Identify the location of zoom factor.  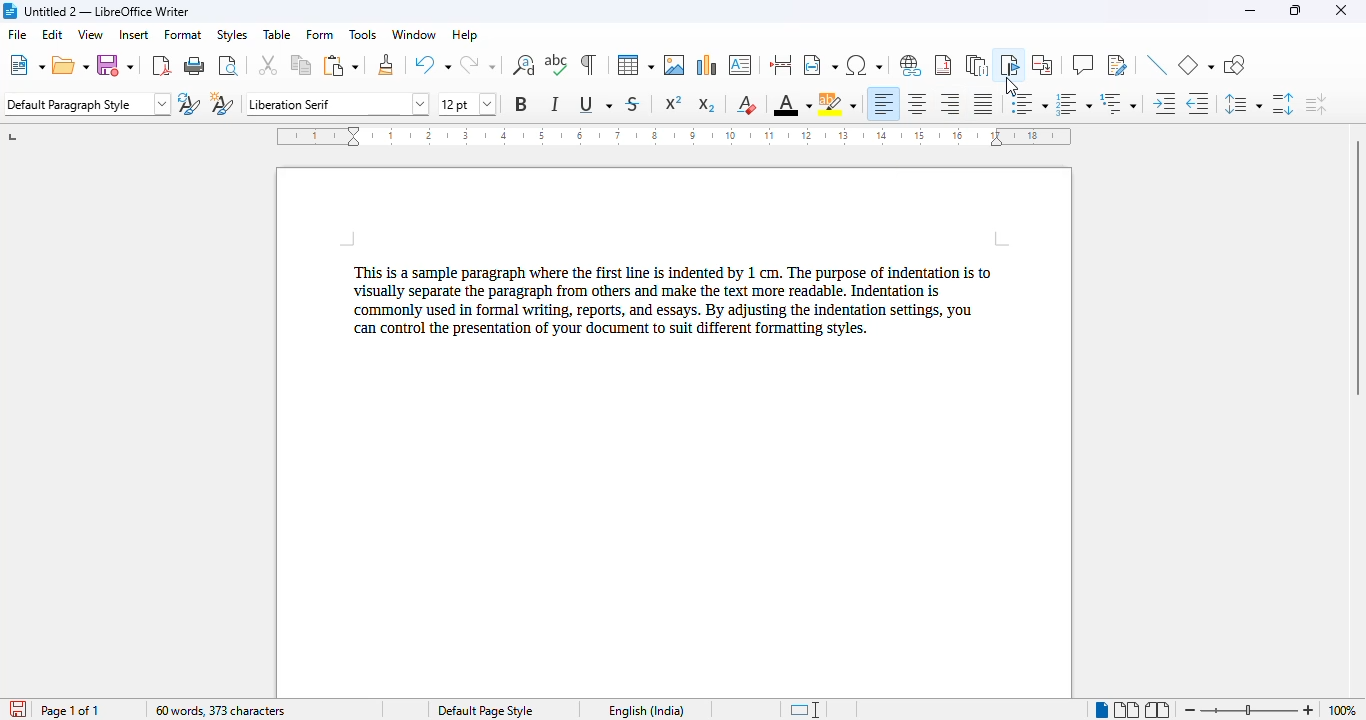
(1342, 710).